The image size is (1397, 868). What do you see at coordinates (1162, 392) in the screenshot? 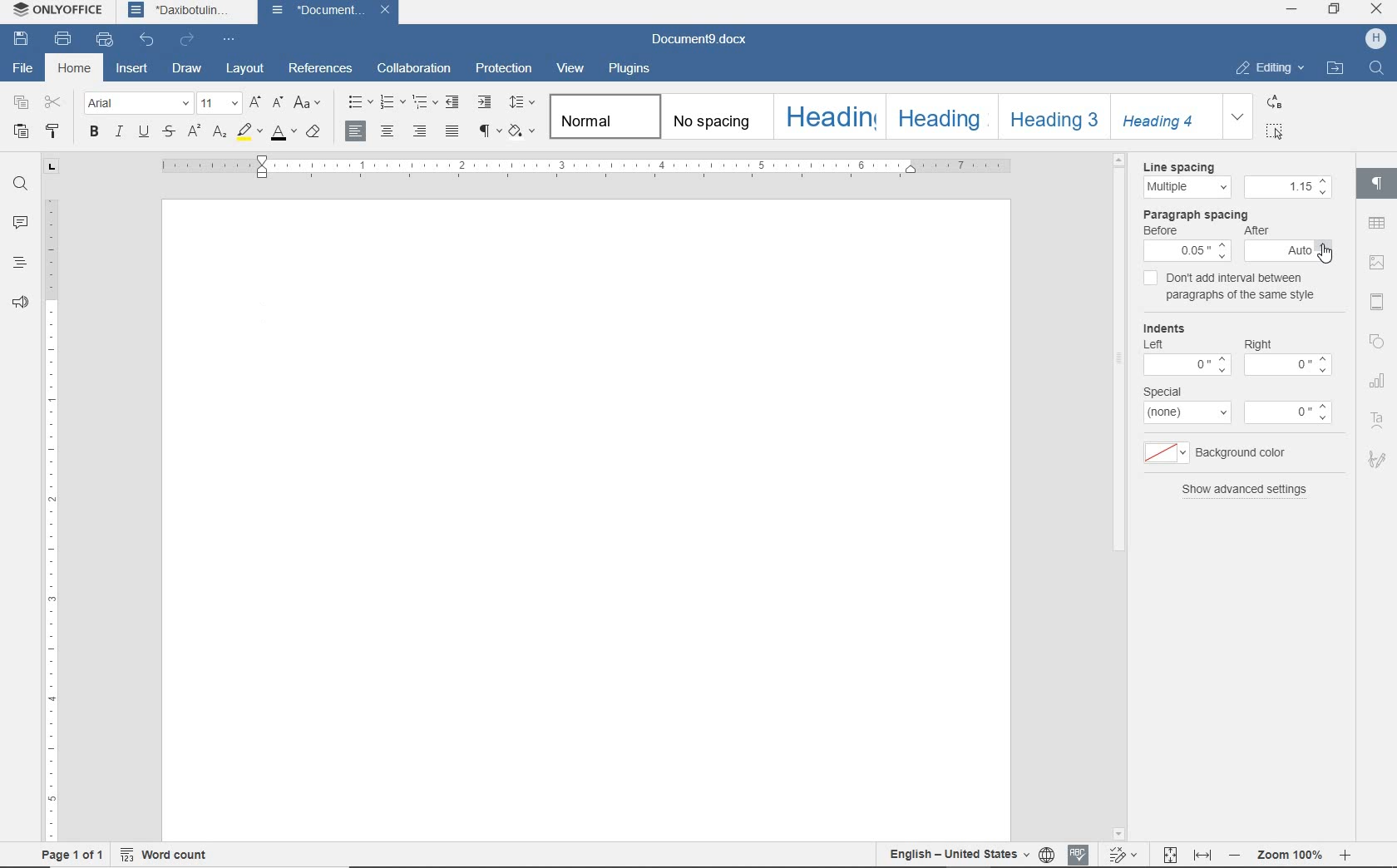
I see `special` at bounding box center [1162, 392].